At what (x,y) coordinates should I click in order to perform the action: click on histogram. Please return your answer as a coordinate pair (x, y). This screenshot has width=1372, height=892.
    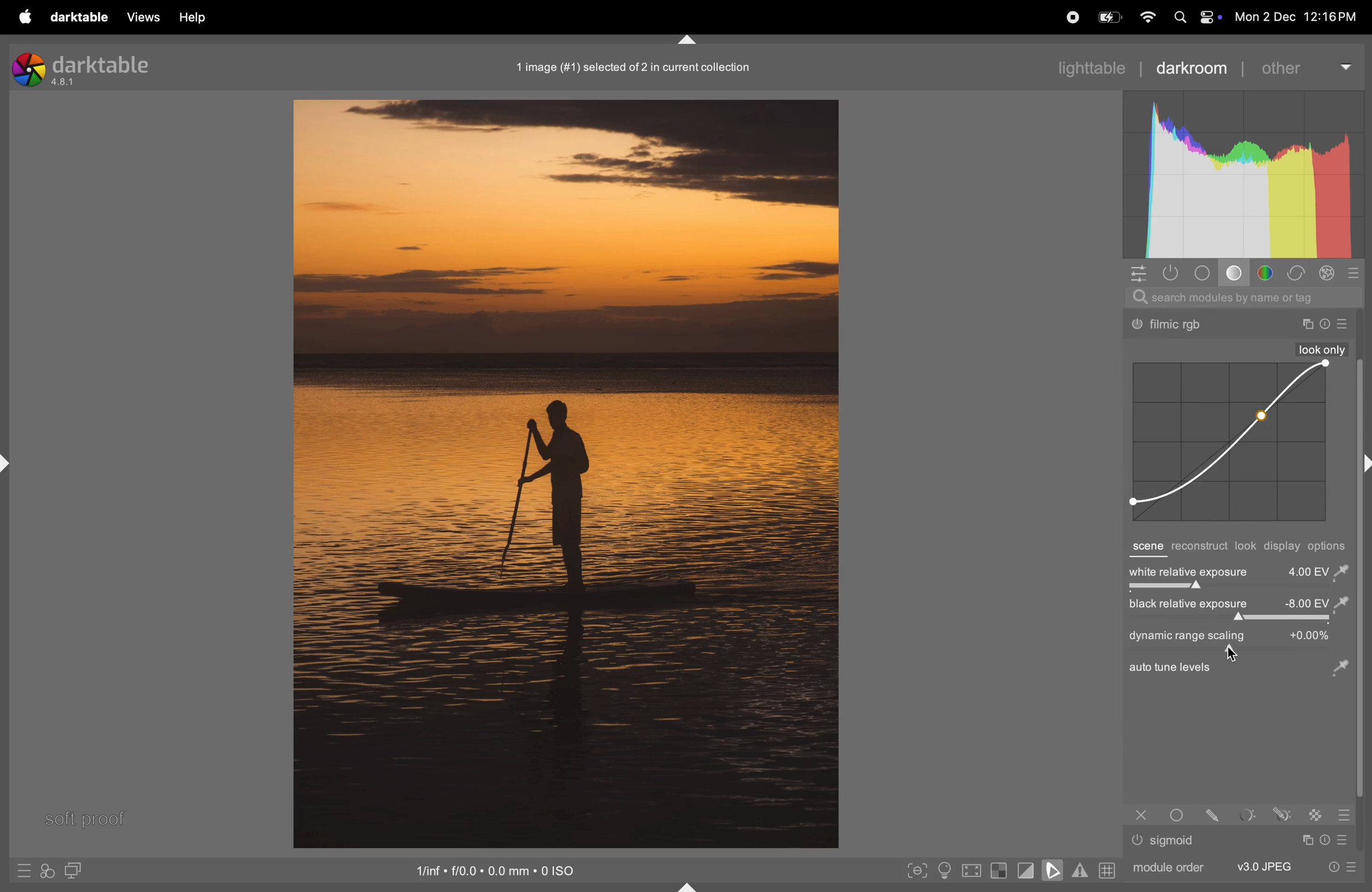
    Looking at the image, I should click on (1243, 175).